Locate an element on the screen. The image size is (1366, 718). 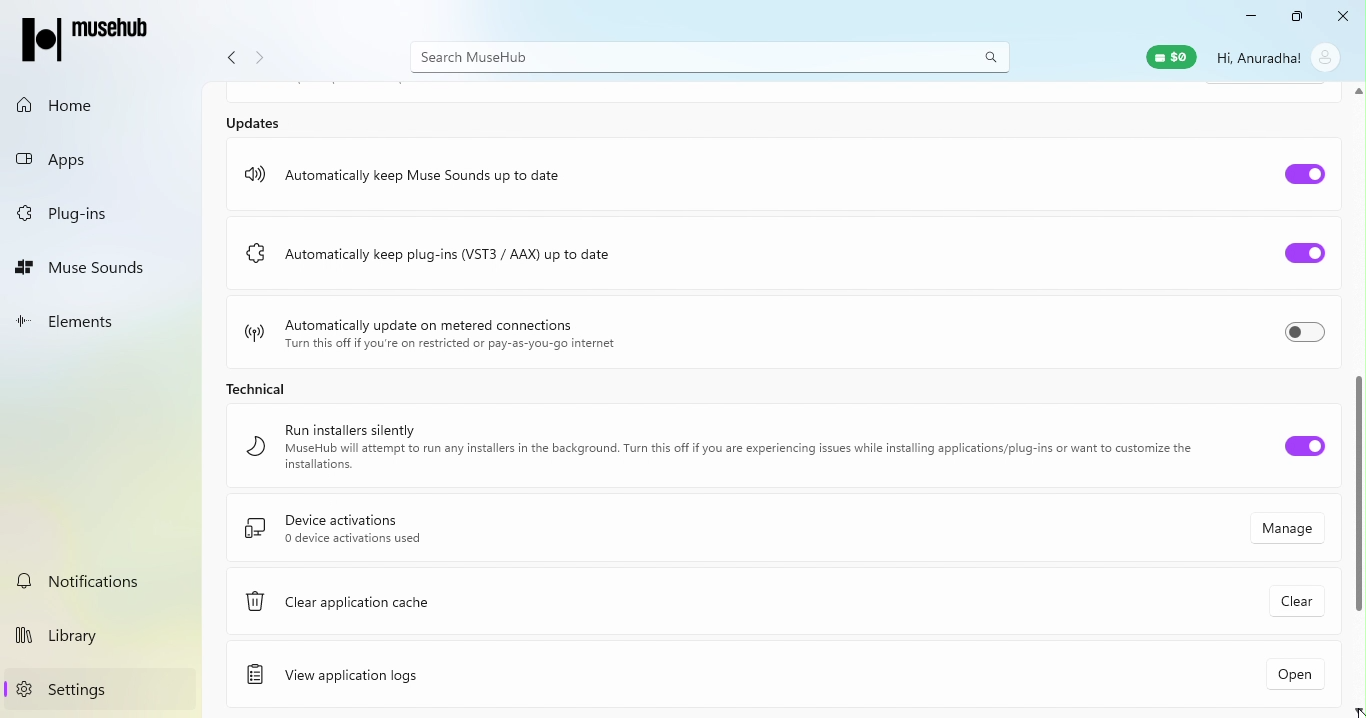
Muse Sounds is located at coordinates (92, 263).